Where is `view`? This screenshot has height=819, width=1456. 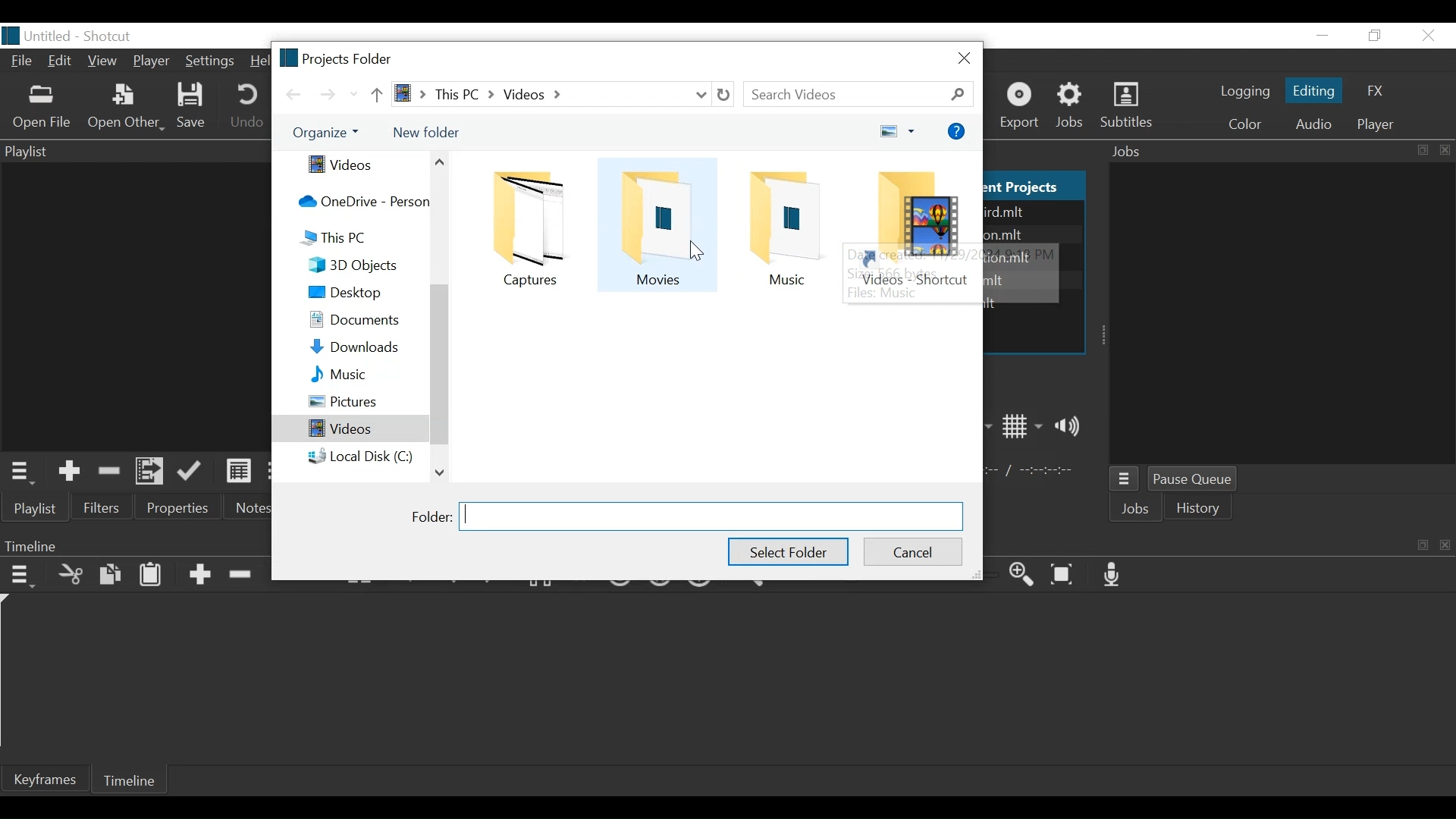
view is located at coordinates (896, 130).